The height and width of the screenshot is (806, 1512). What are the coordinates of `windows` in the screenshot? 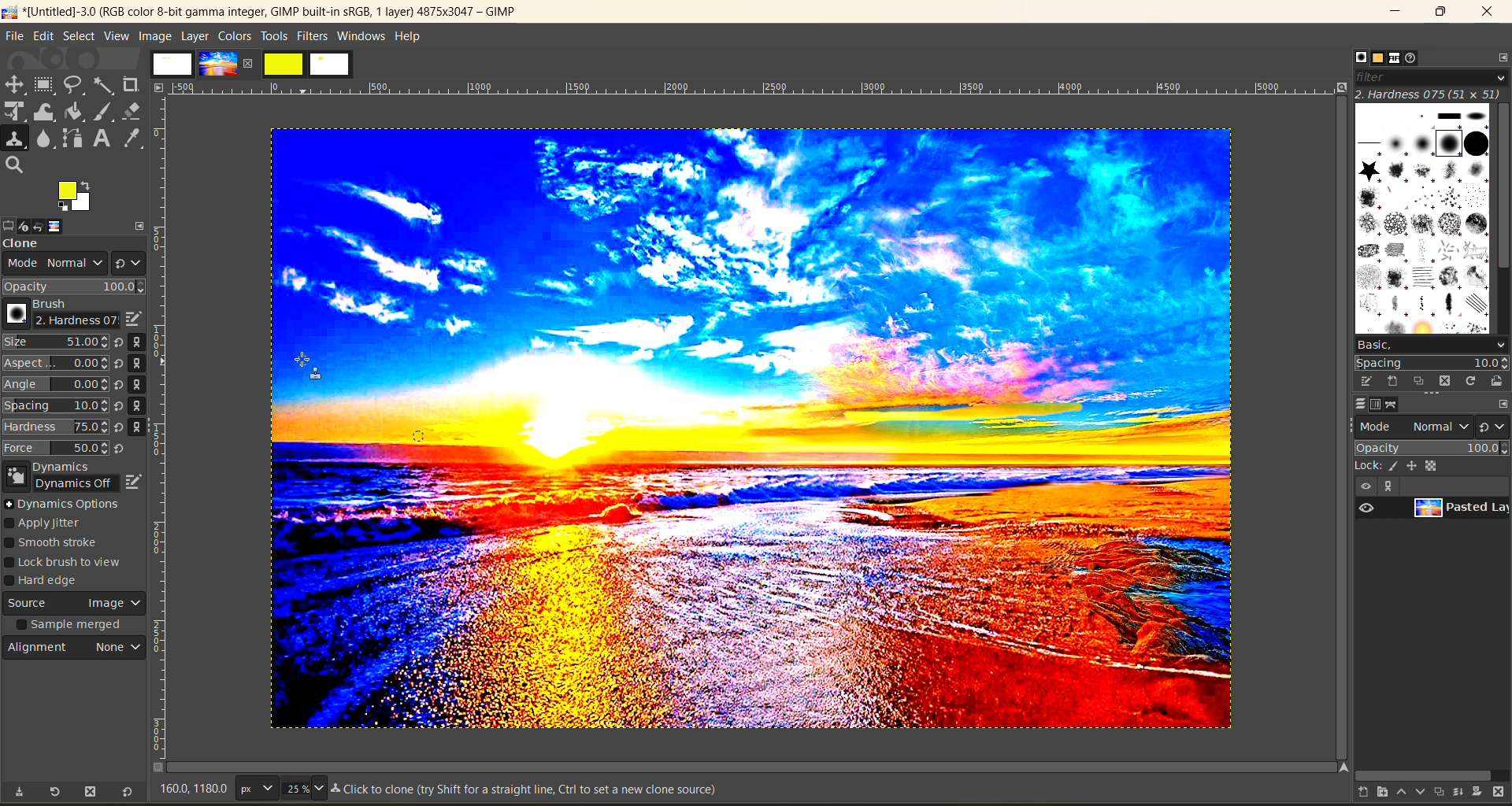 It's located at (362, 36).